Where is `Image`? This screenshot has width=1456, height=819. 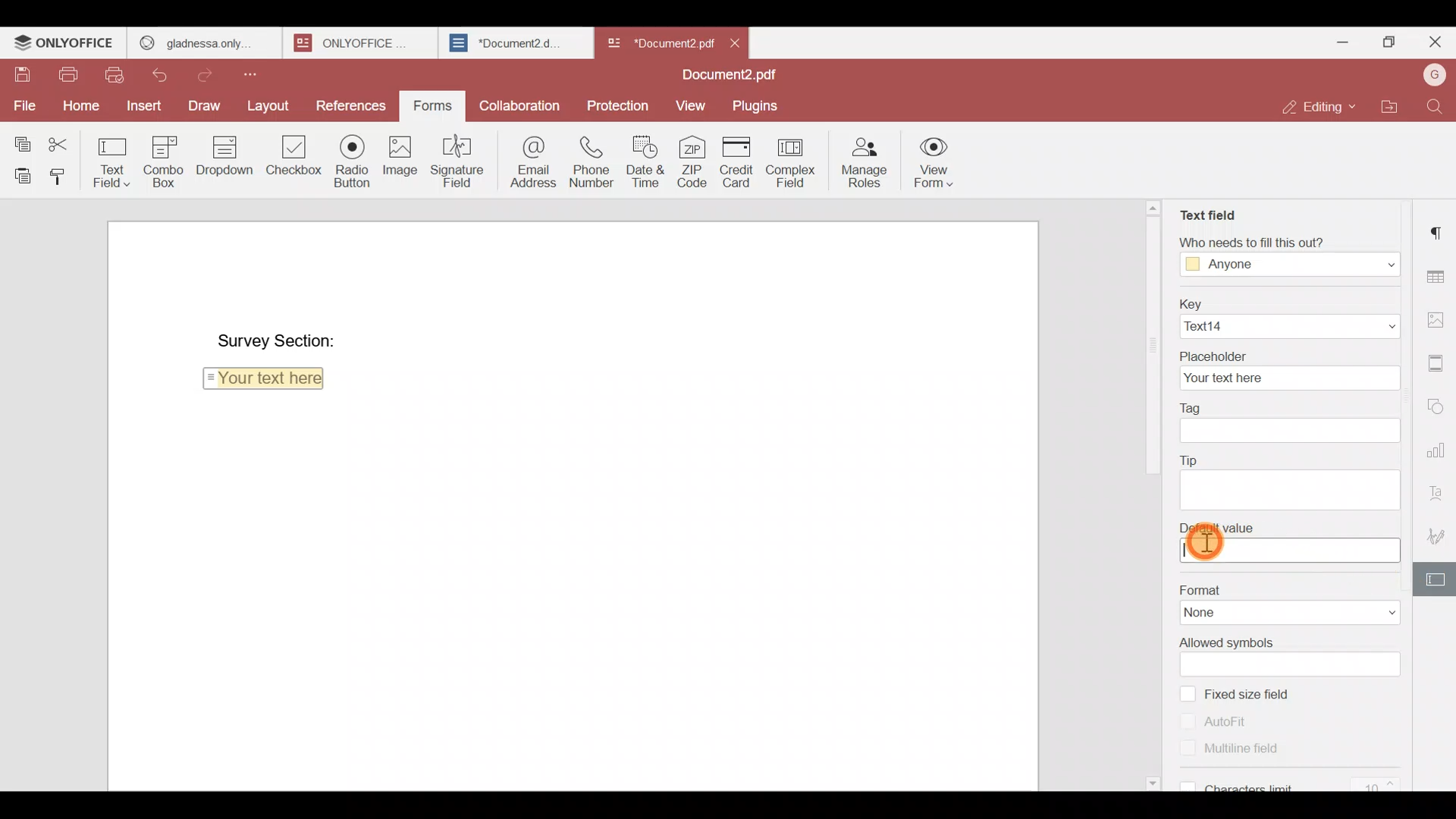
Image is located at coordinates (399, 158).